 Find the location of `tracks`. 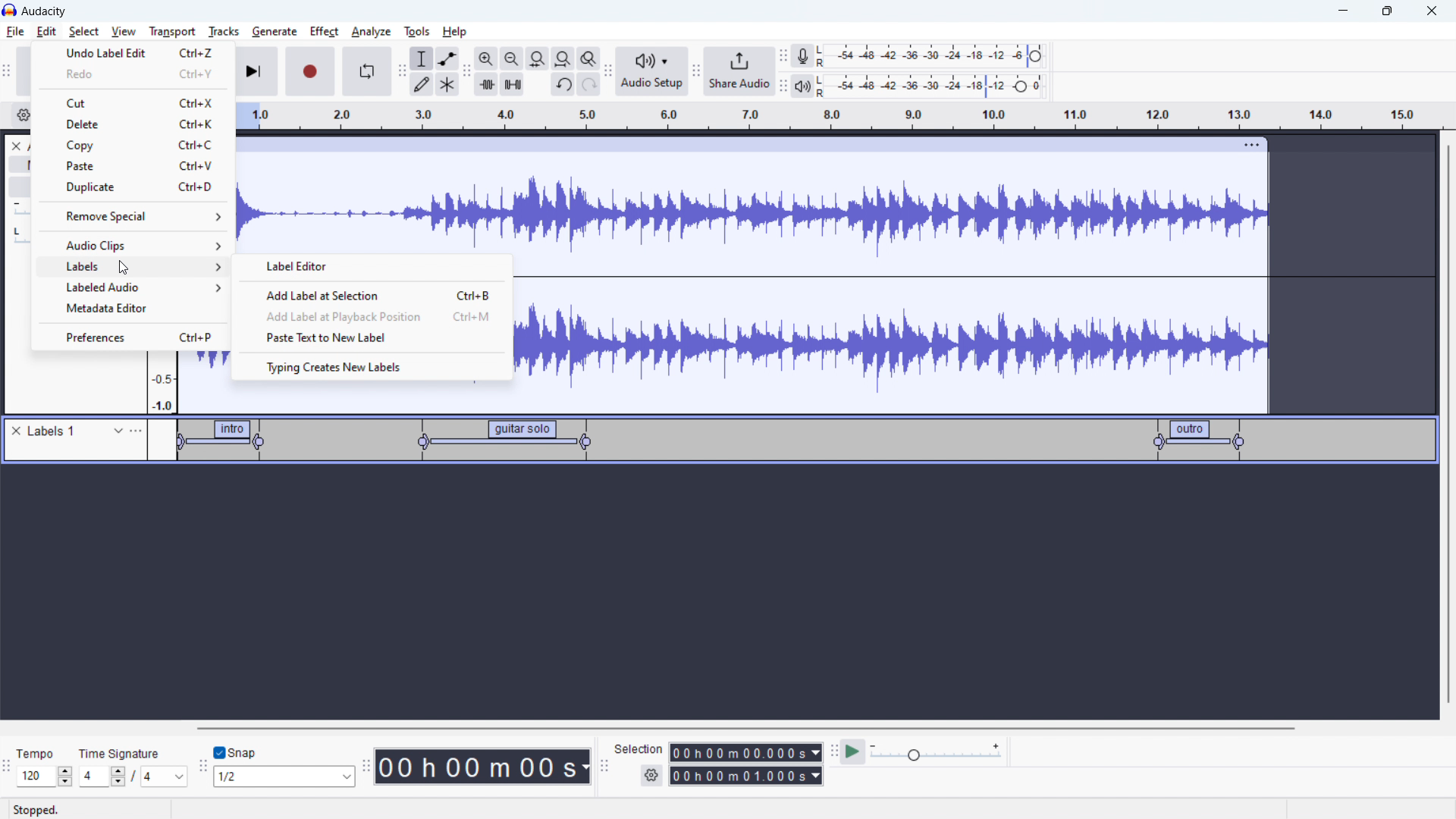

tracks is located at coordinates (223, 31).